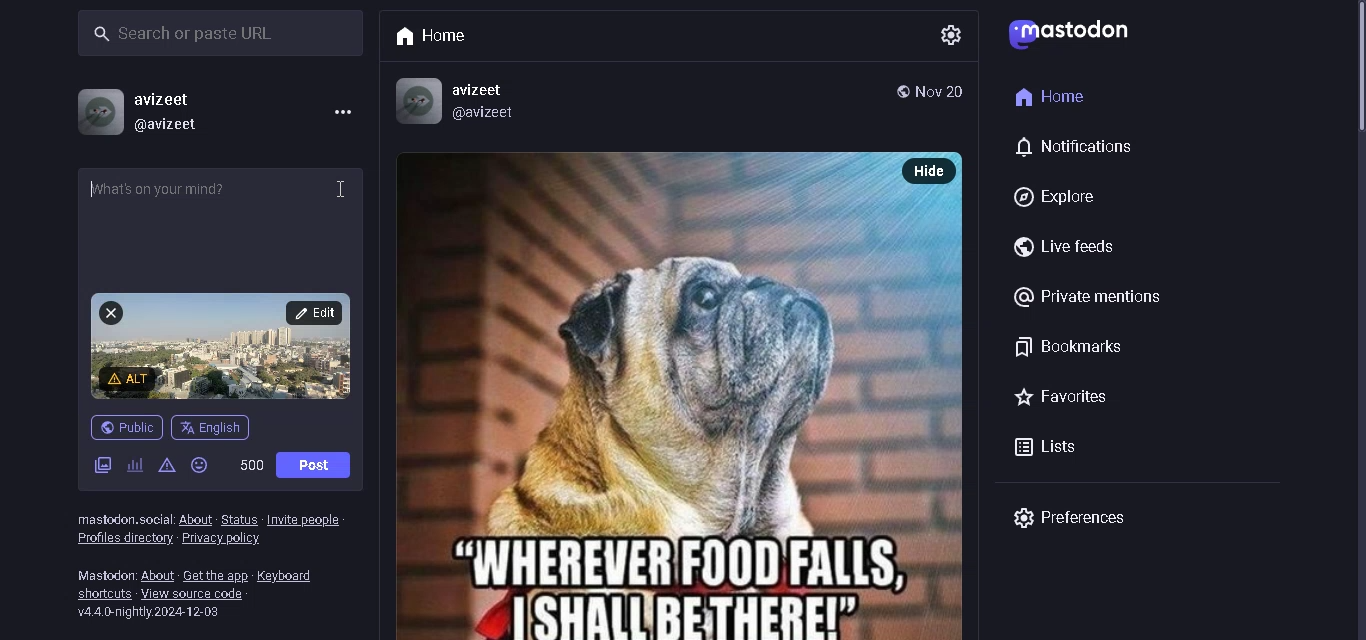  Describe the element at coordinates (1078, 148) in the screenshot. I see `notification` at that location.